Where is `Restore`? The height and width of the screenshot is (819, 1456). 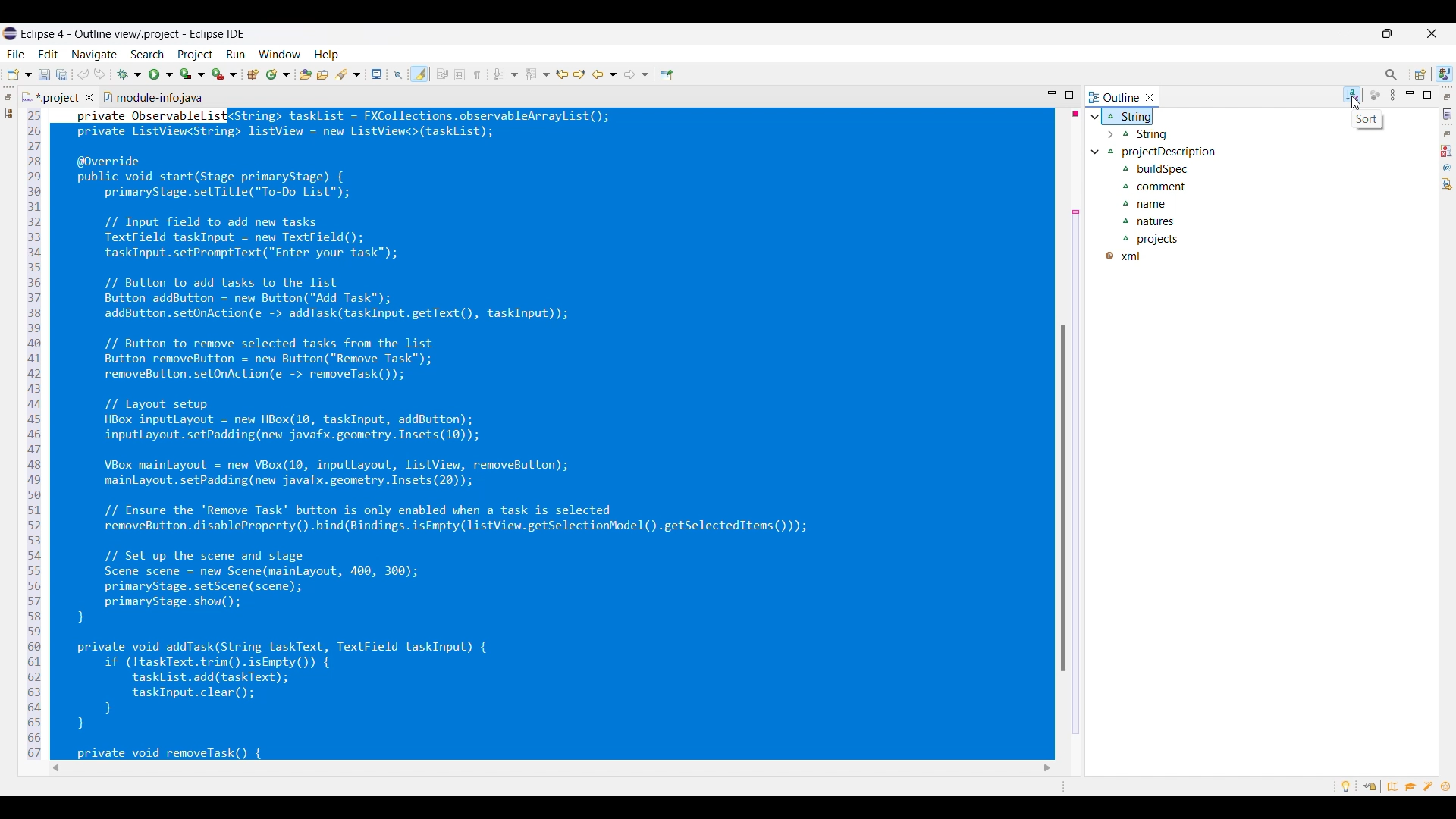 Restore is located at coordinates (1448, 134).